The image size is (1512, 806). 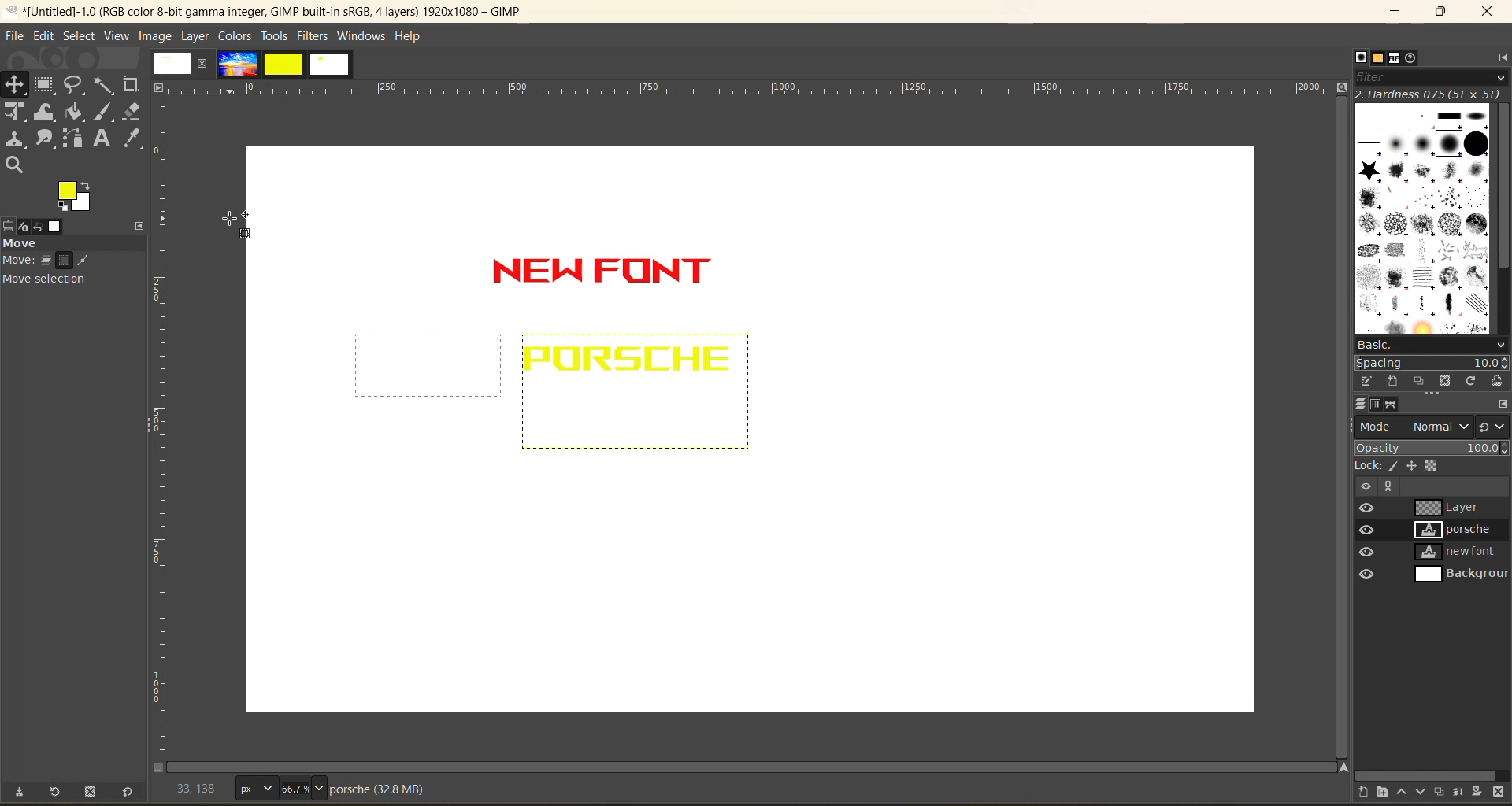 I want to click on restore tool preset, so click(x=57, y=793).